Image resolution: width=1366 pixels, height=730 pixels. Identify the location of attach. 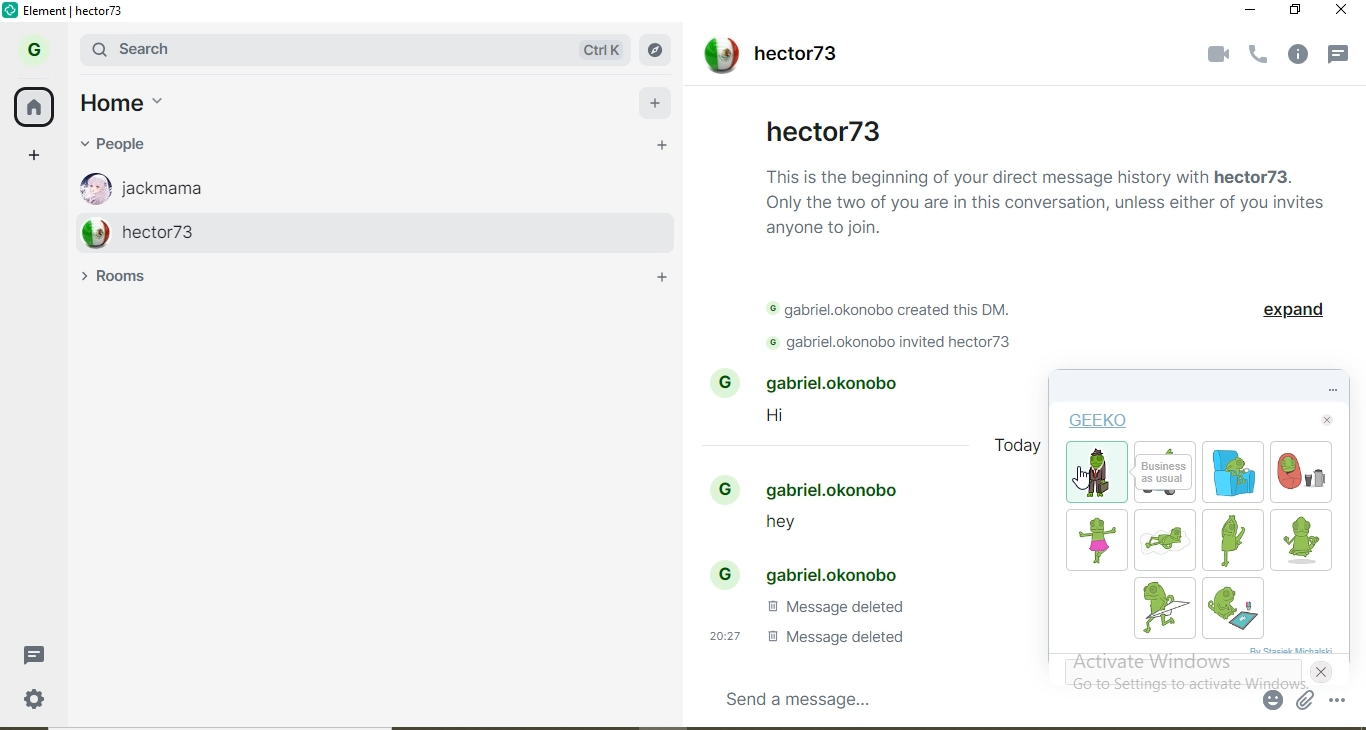
(1304, 701).